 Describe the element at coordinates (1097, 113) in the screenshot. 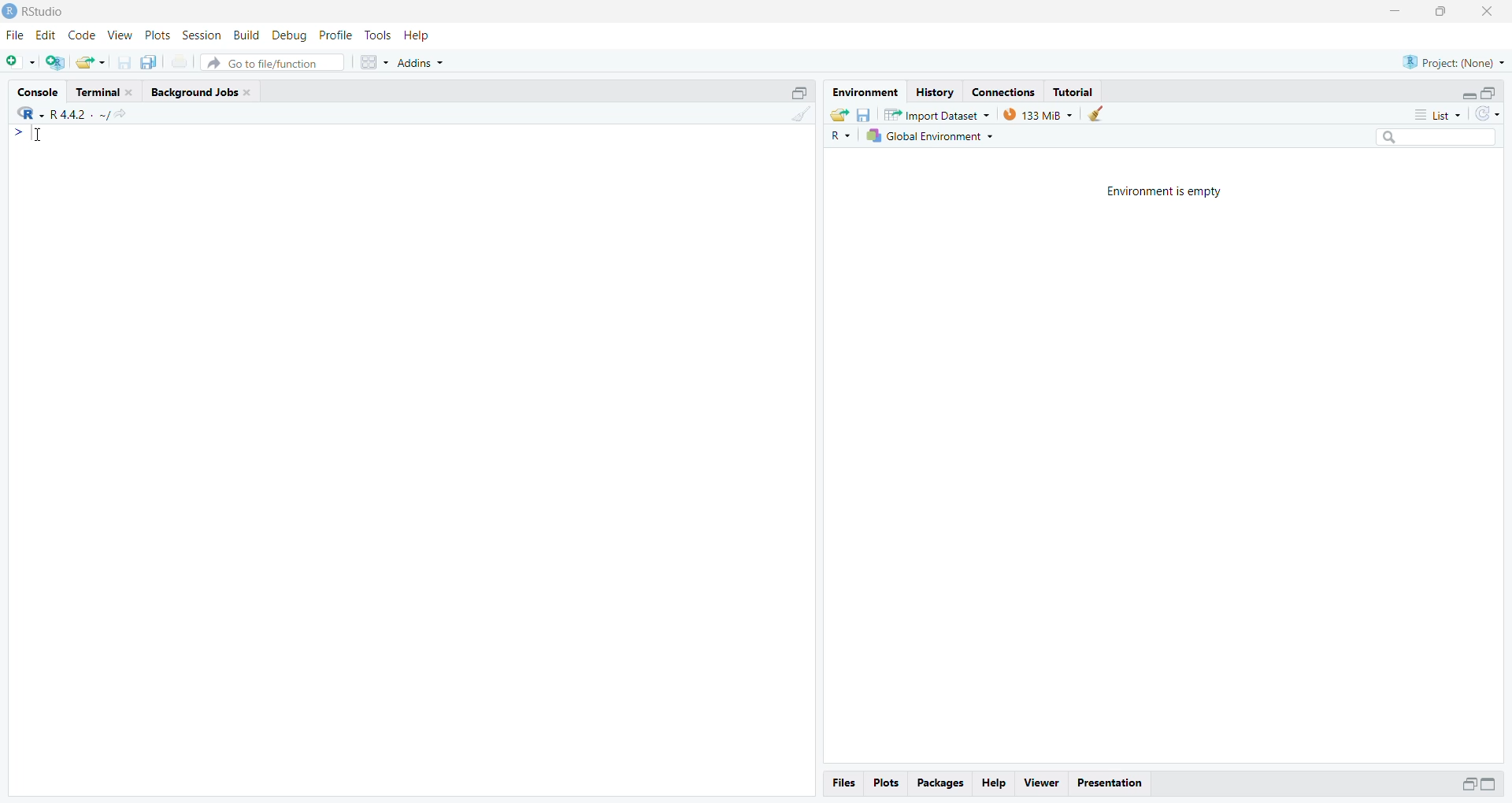

I see `Clear work from the workspace` at that location.